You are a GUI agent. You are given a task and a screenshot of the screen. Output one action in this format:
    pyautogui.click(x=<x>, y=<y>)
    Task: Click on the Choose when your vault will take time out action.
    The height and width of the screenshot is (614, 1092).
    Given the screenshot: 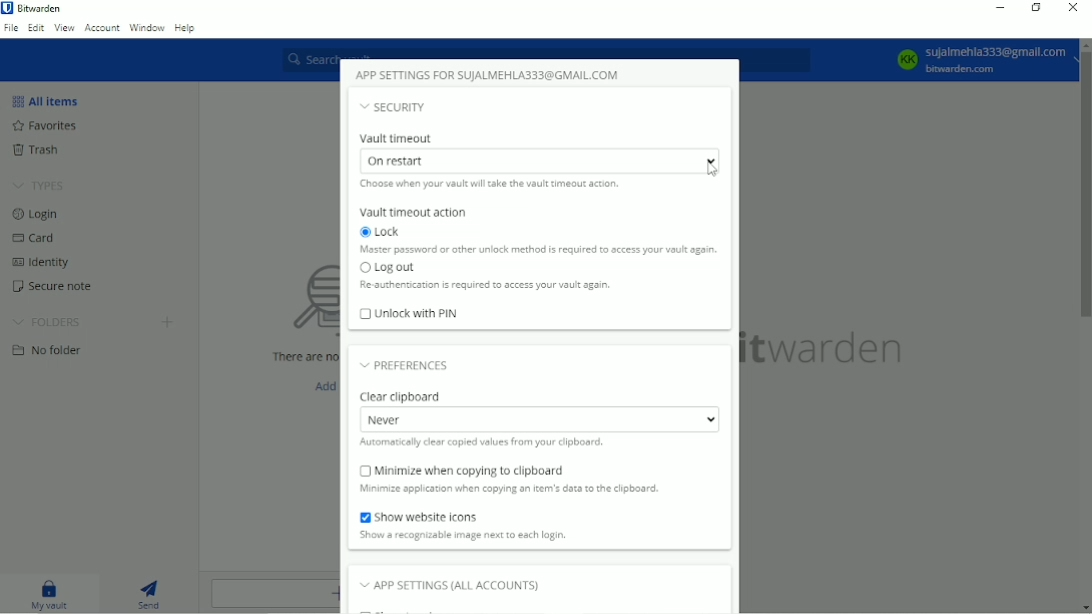 What is the action you would take?
    pyautogui.click(x=495, y=184)
    